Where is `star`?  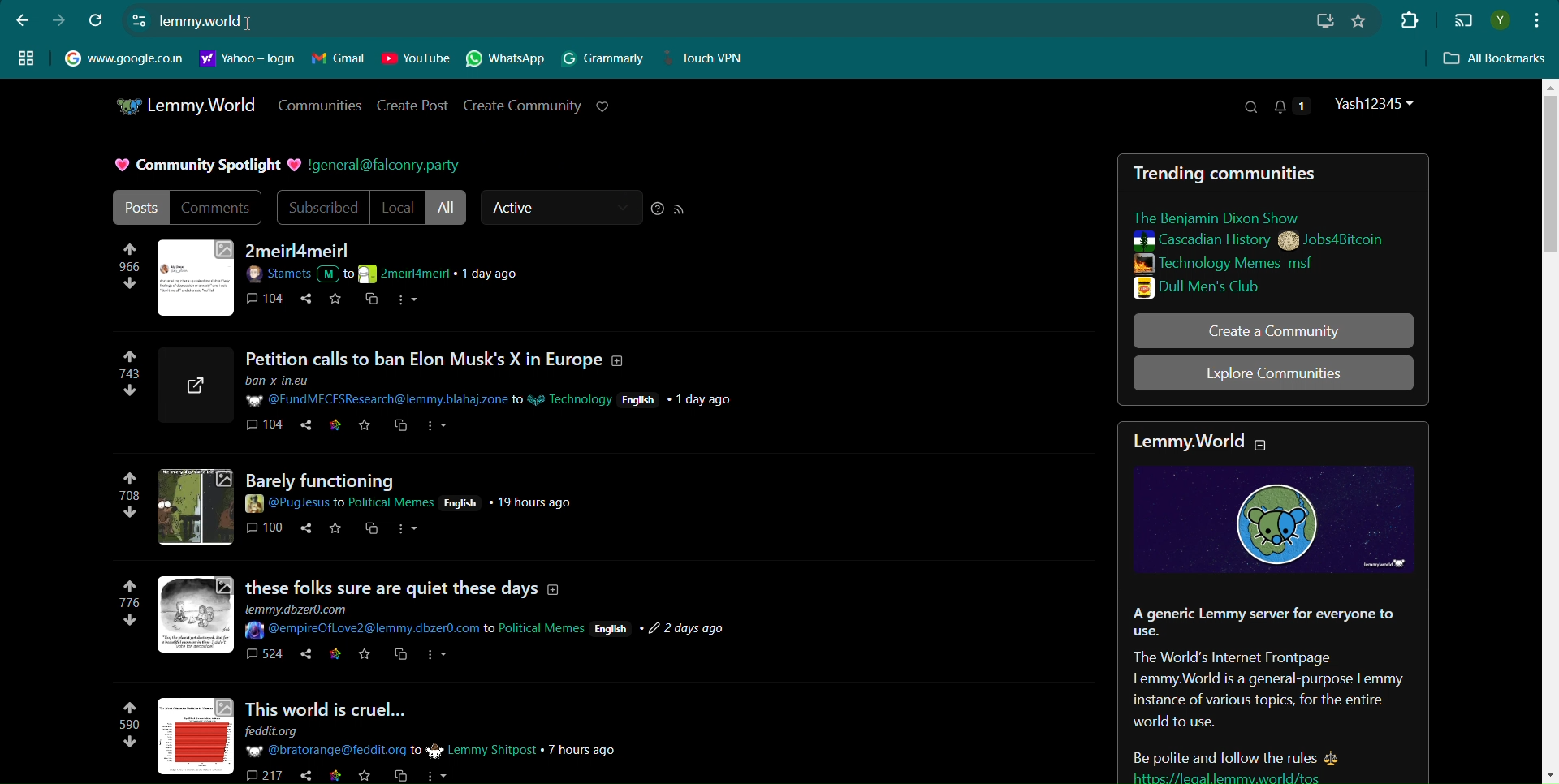
star is located at coordinates (363, 777).